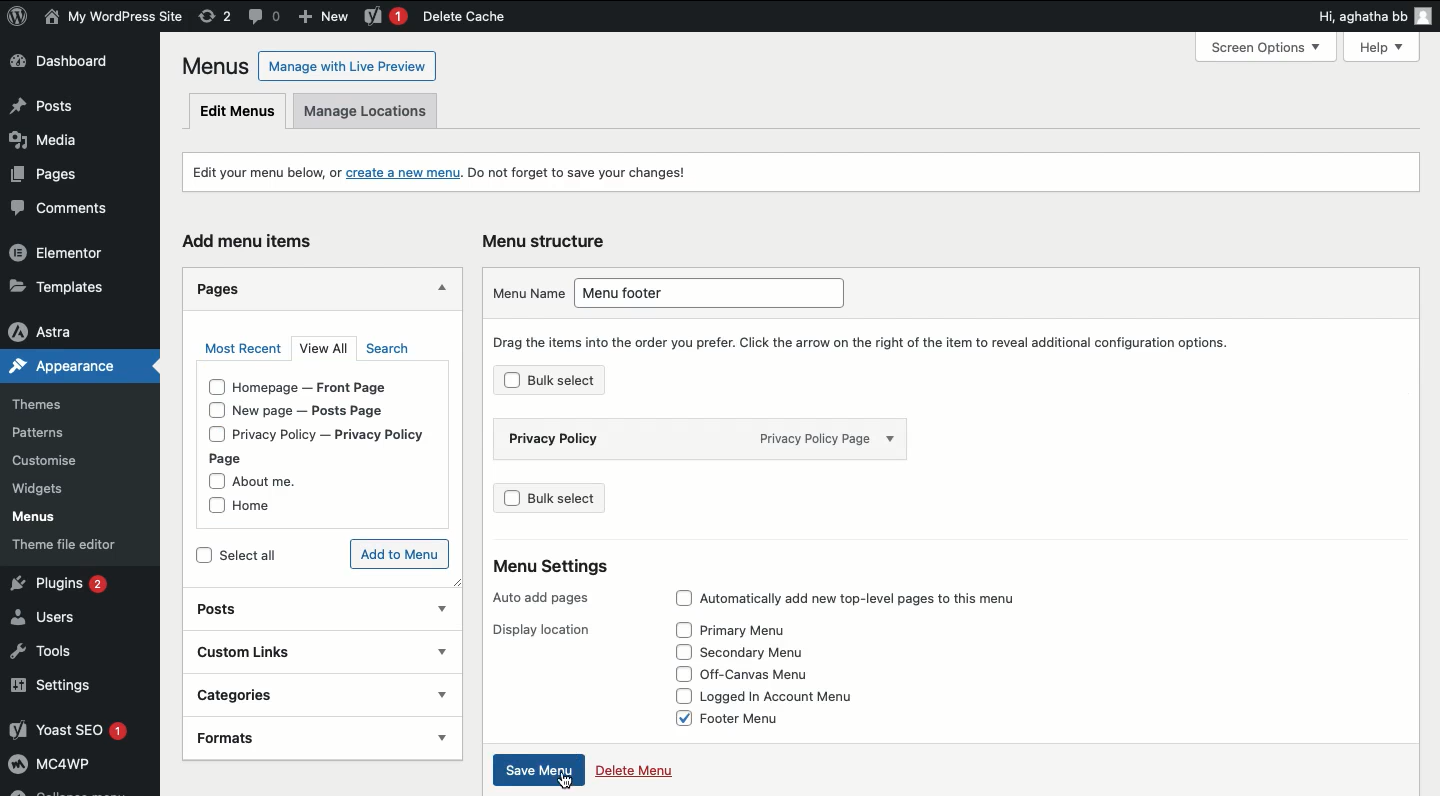  Describe the element at coordinates (440, 651) in the screenshot. I see `show` at that location.